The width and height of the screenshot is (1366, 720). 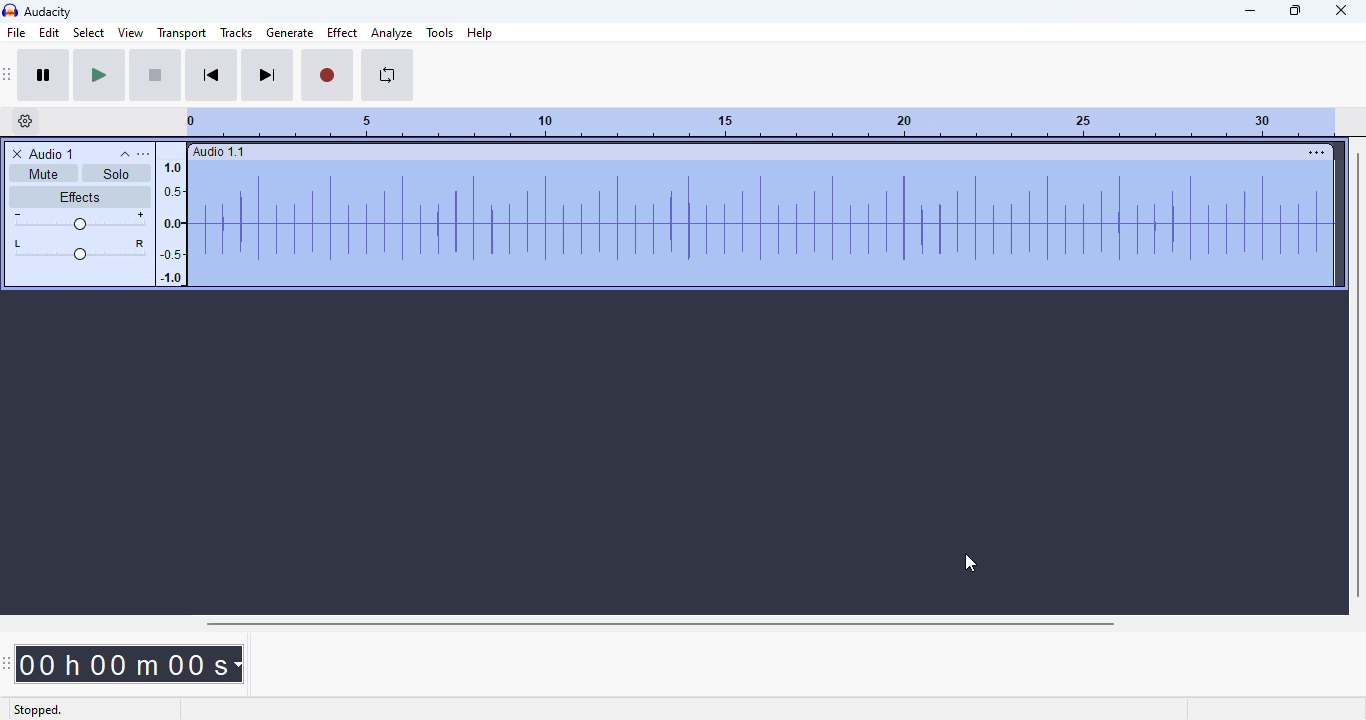 What do you see at coordinates (144, 154) in the screenshot?
I see `open menu` at bounding box center [144, 154].